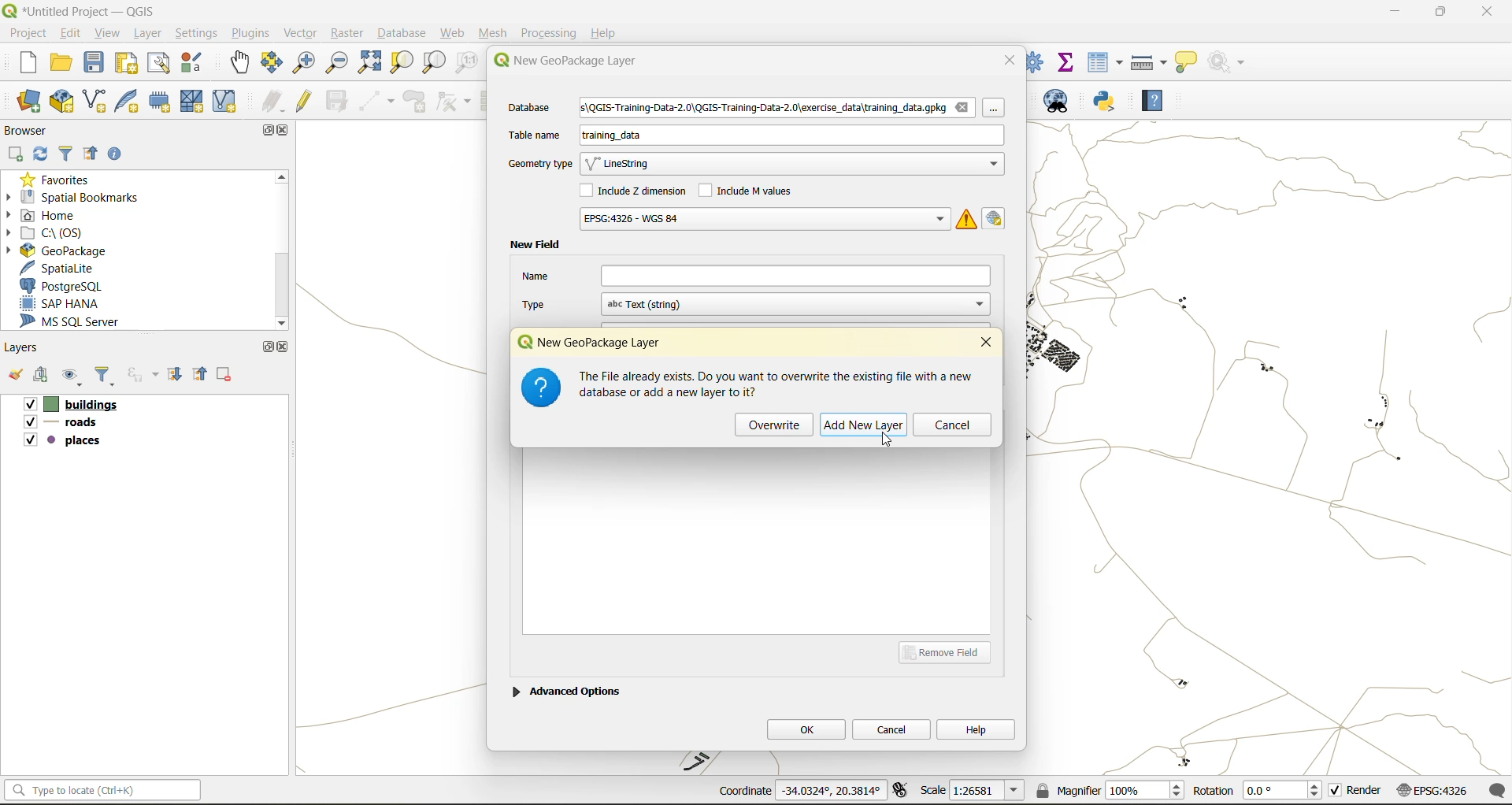 The height and width of the screenshot is (805, 1512). I want to click on LineString(geometry type added), so click(626, 165).